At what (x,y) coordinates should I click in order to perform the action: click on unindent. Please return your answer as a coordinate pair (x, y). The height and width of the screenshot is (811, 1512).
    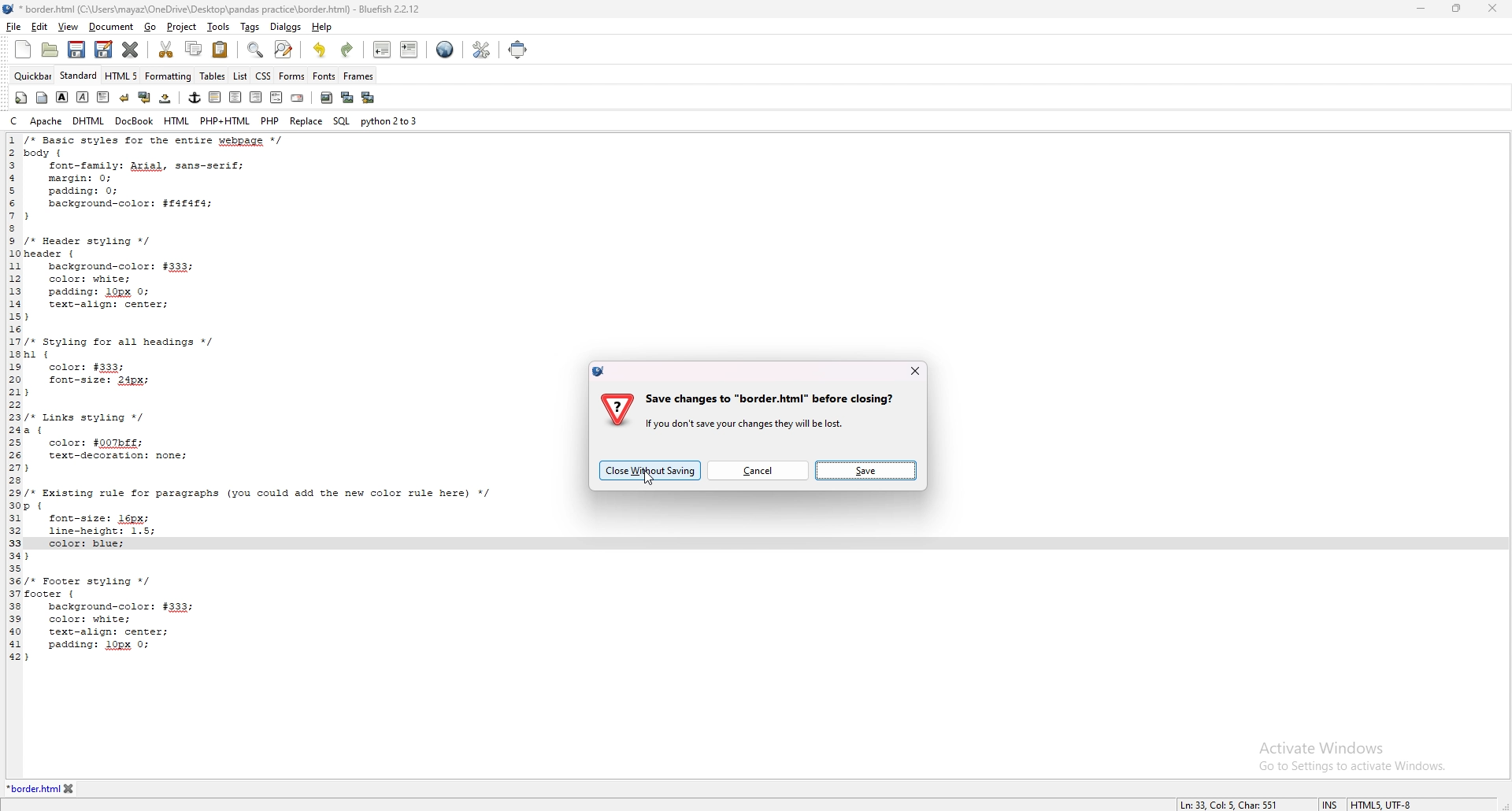
    Looking at the image, I should click on (382, 49).